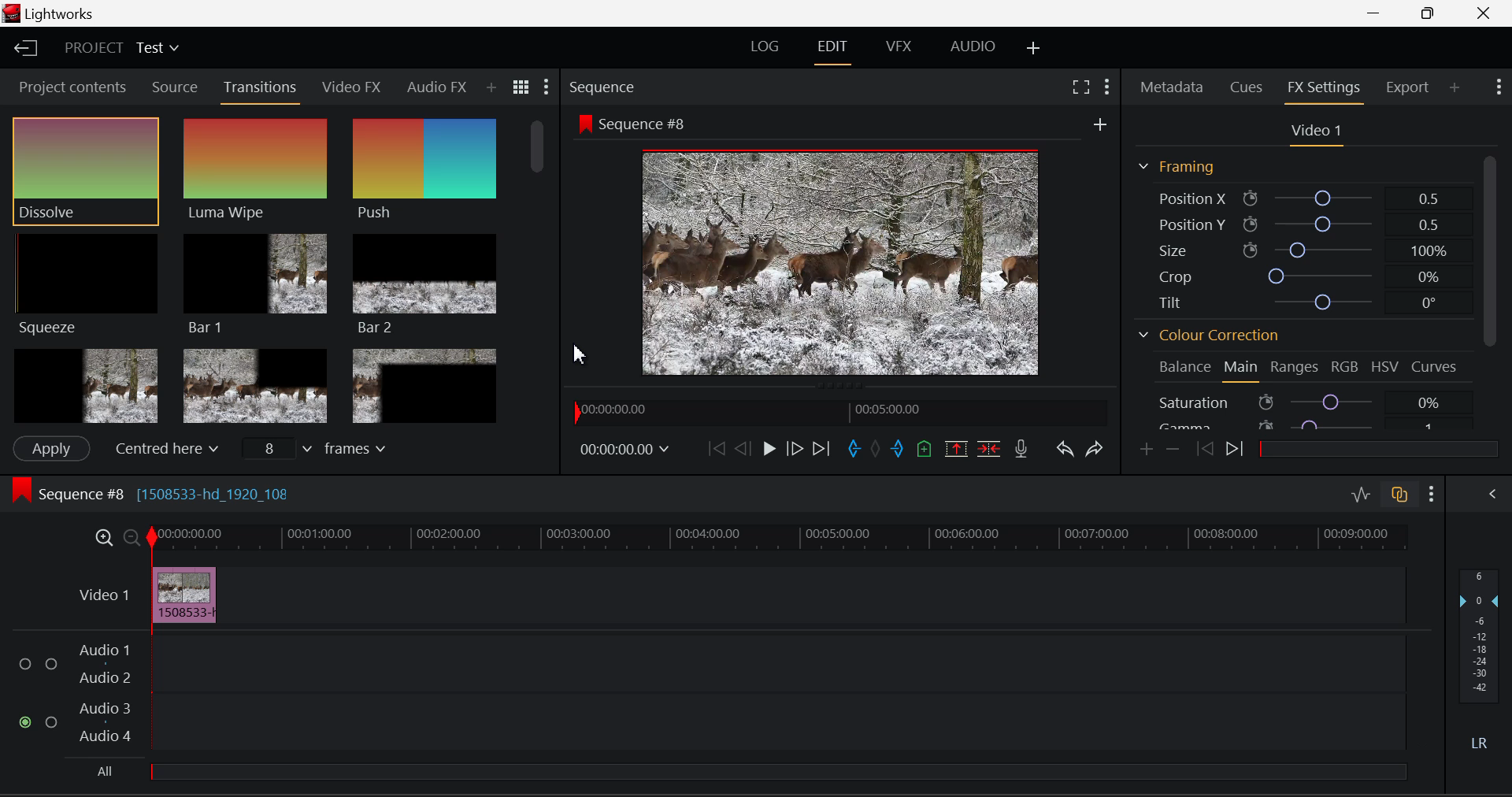  I want to click on RGB, so click(1347, 368).